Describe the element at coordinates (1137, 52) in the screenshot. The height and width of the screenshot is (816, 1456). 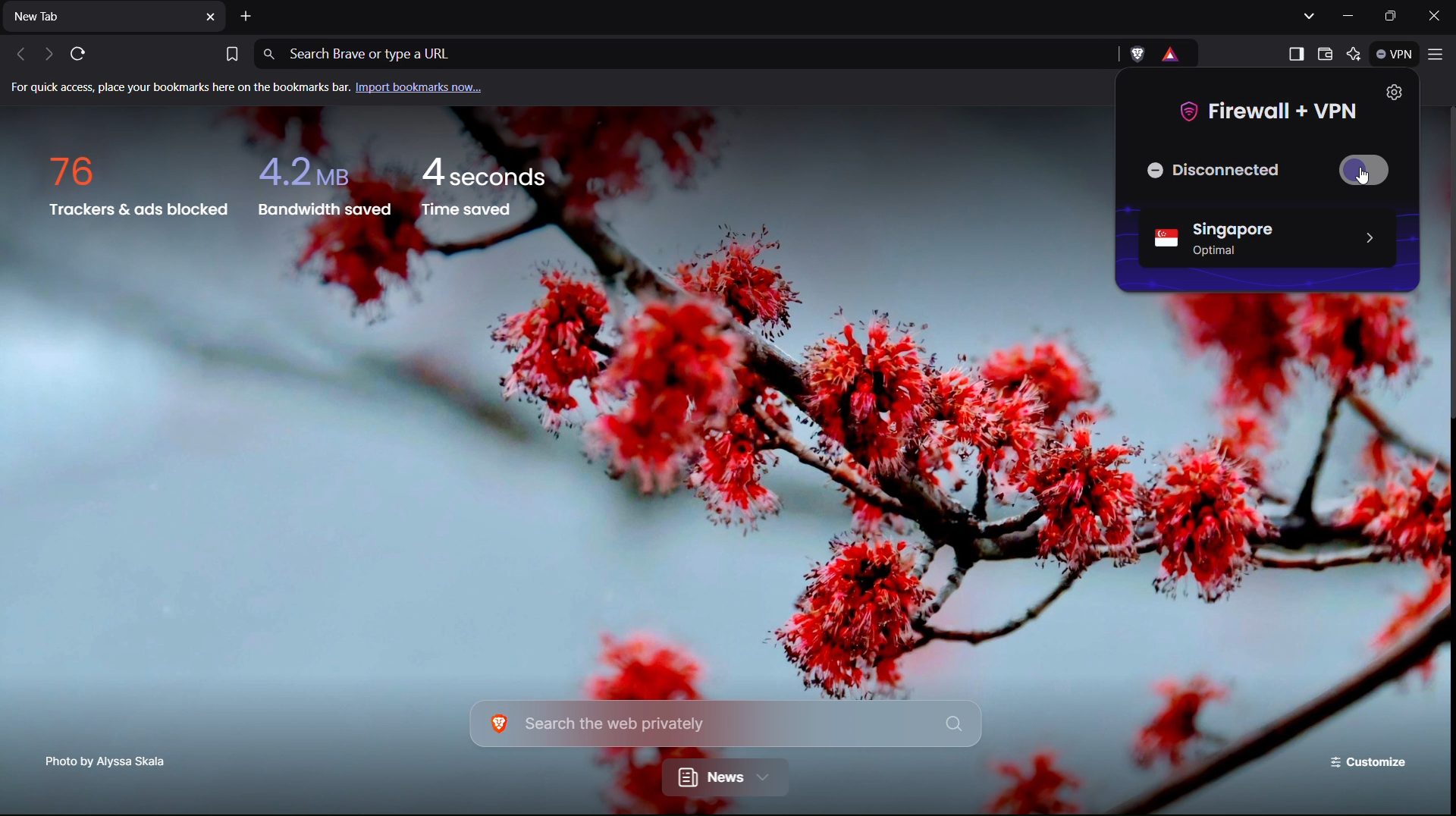
I see `Brave` at that location.